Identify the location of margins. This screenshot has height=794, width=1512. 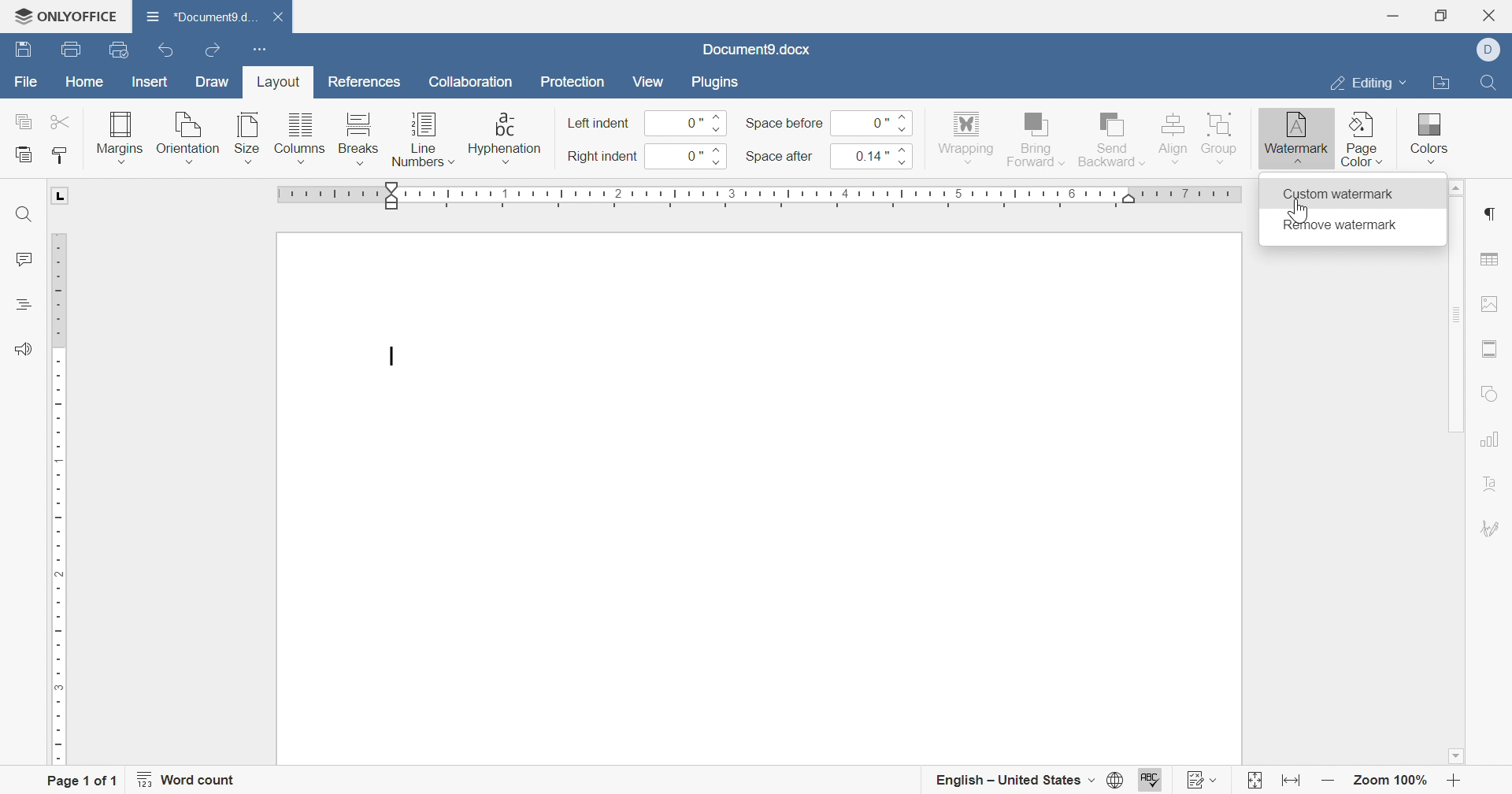
(118, 136).